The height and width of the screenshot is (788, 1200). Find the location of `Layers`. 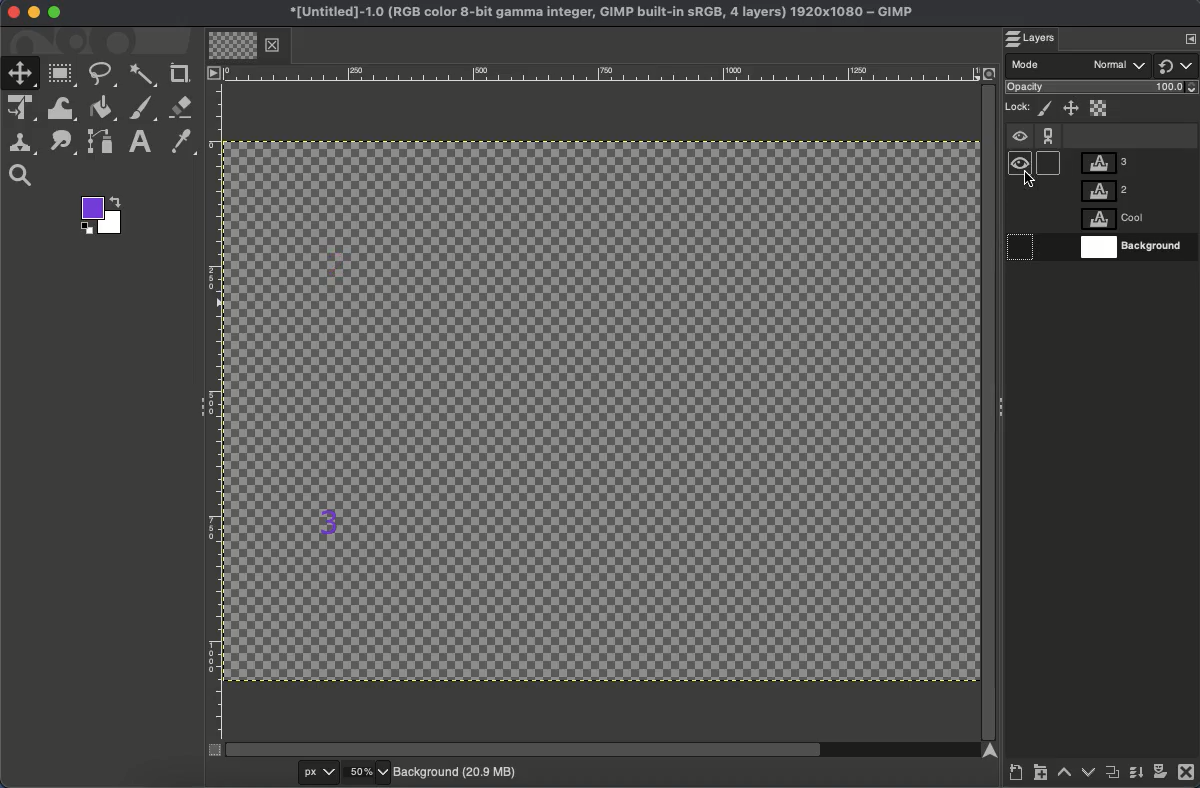

Layers is located at coordinates (1039, 39).